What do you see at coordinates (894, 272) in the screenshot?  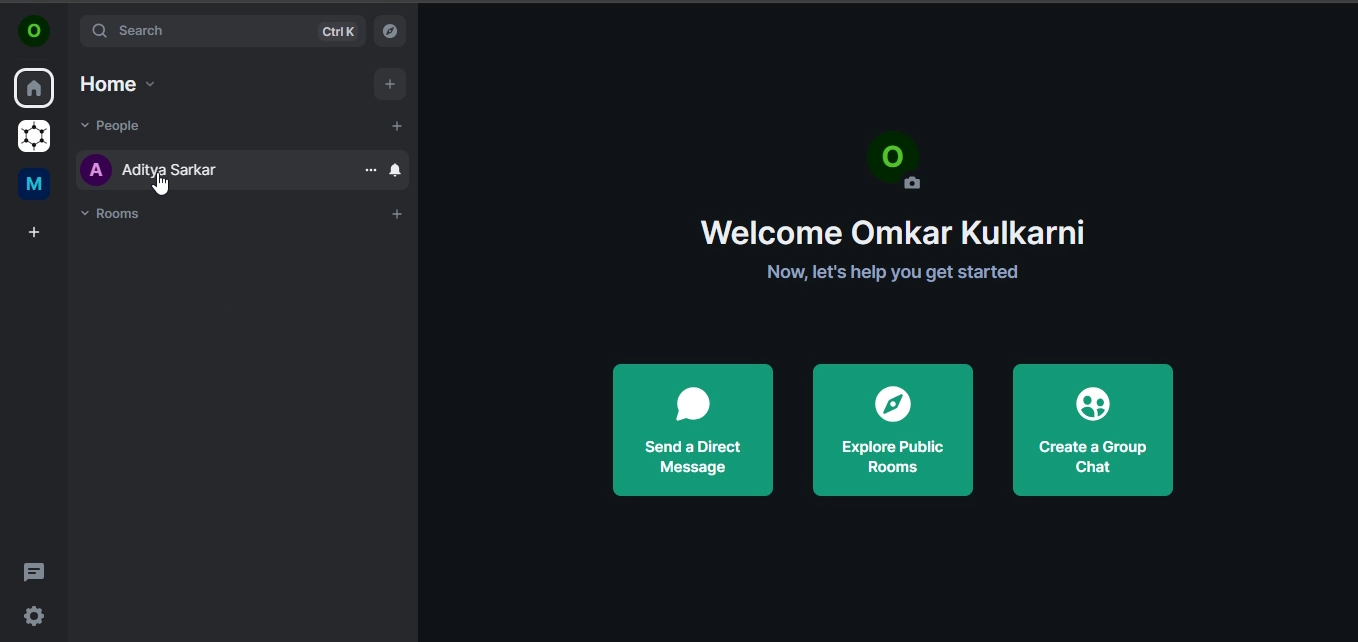 I see `Now, let's help you get started` at bounding box center [894, 272].